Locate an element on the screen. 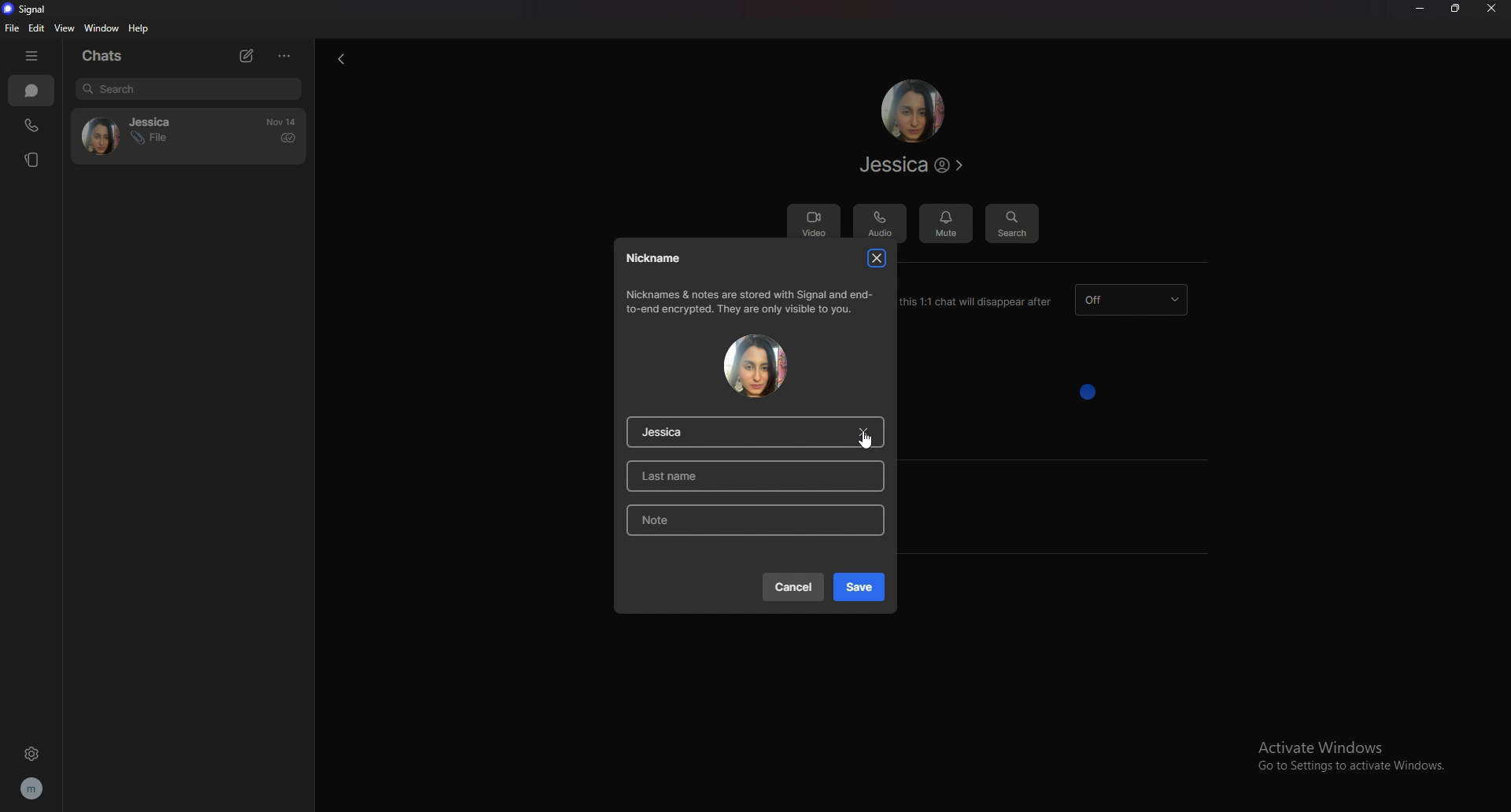 Image resolution: width=1511 pixels, height=812 pixels. settings is located at coordinates (34, 751).